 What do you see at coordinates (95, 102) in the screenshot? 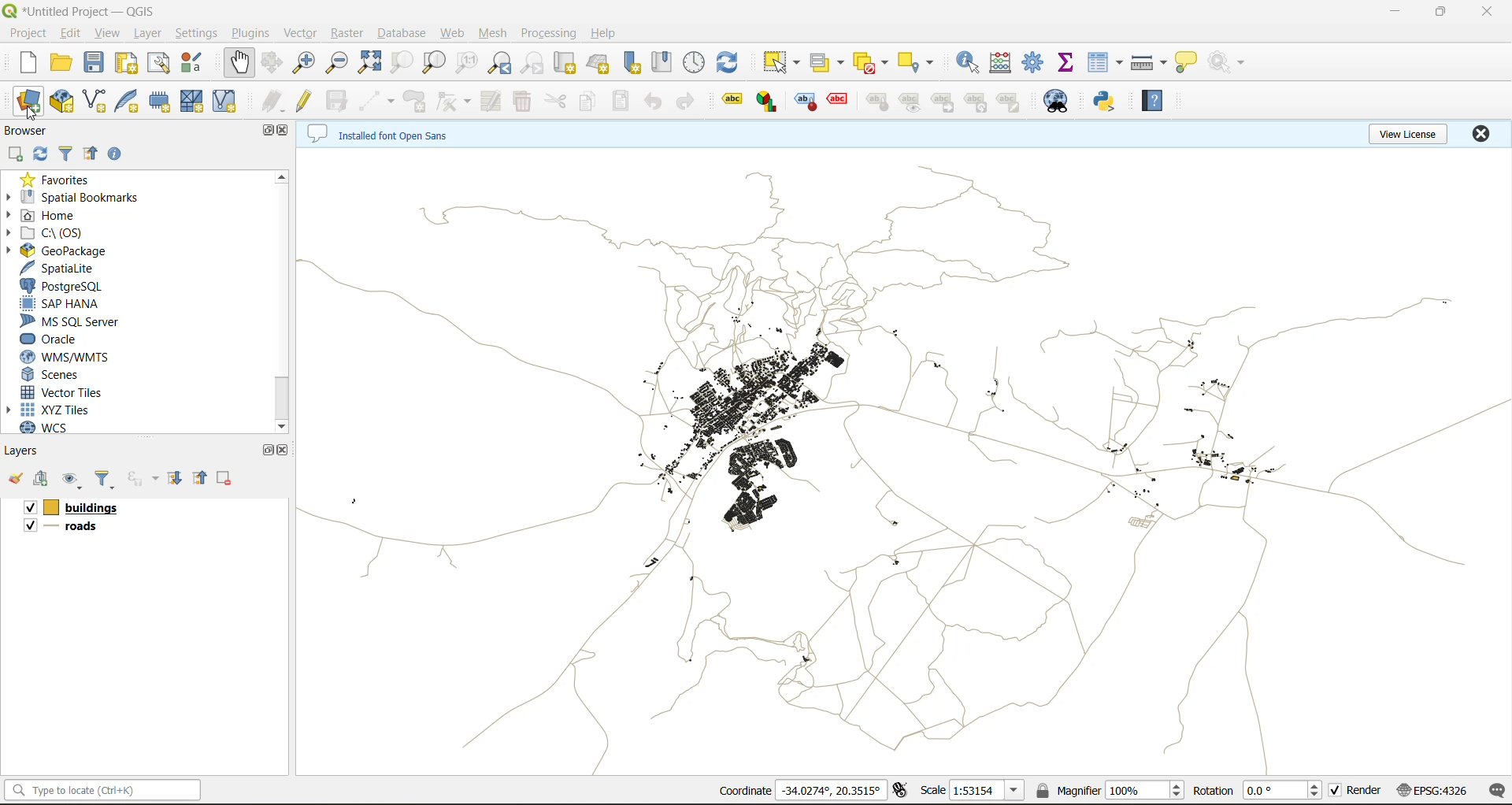
I see `new shapefile layer` at bounding box center [95, 102].